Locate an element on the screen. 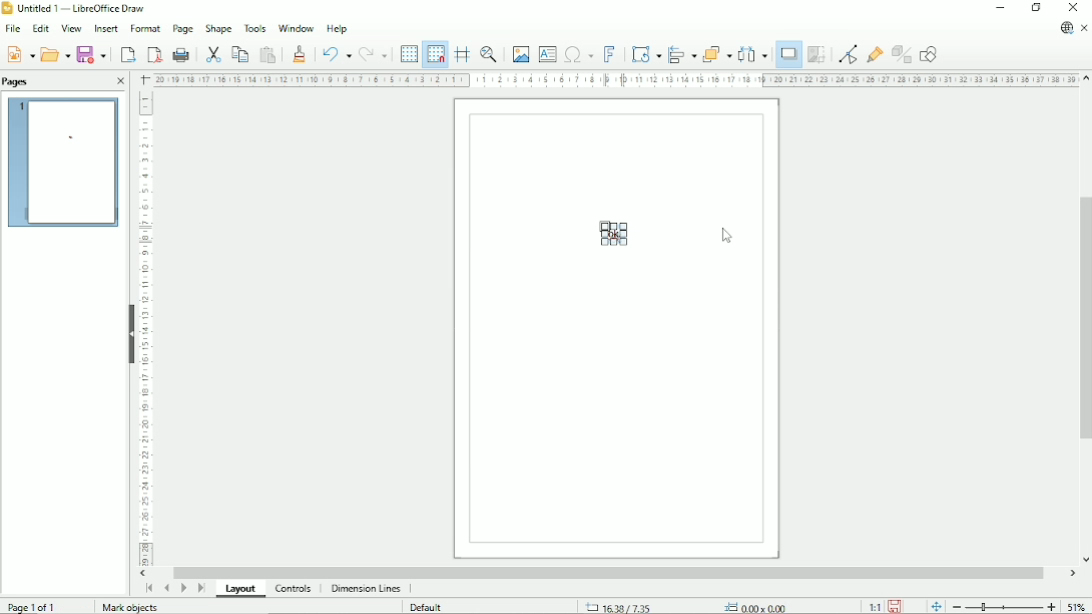 This screenshot has width=1092, height=614. Zoom factor is located at coordinates (1078, 607).